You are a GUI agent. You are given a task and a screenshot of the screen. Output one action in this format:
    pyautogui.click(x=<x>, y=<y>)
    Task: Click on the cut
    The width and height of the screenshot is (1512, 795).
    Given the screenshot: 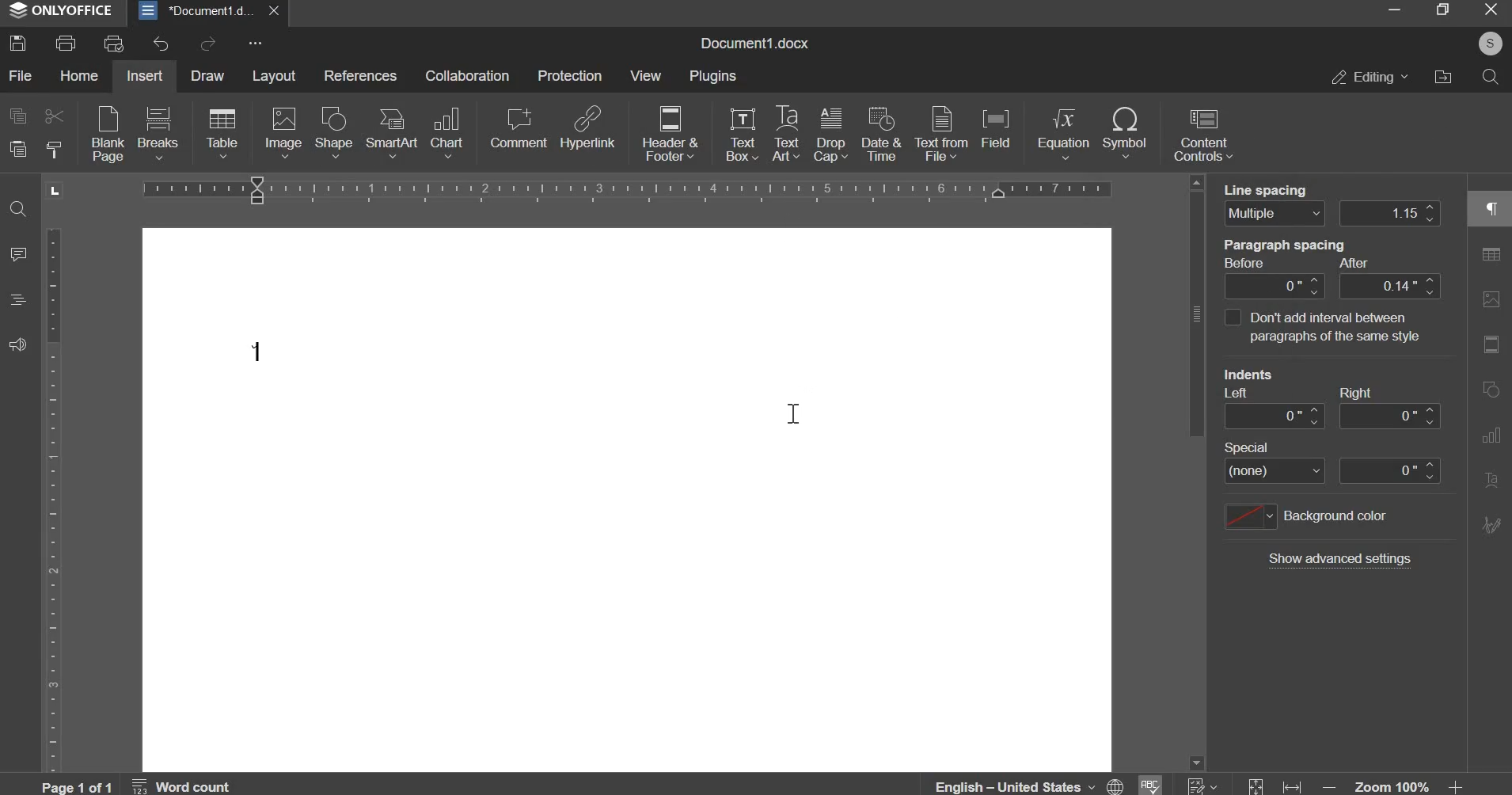 What is the action you would take?
    pyautogui.click(x=56, y=116)
    